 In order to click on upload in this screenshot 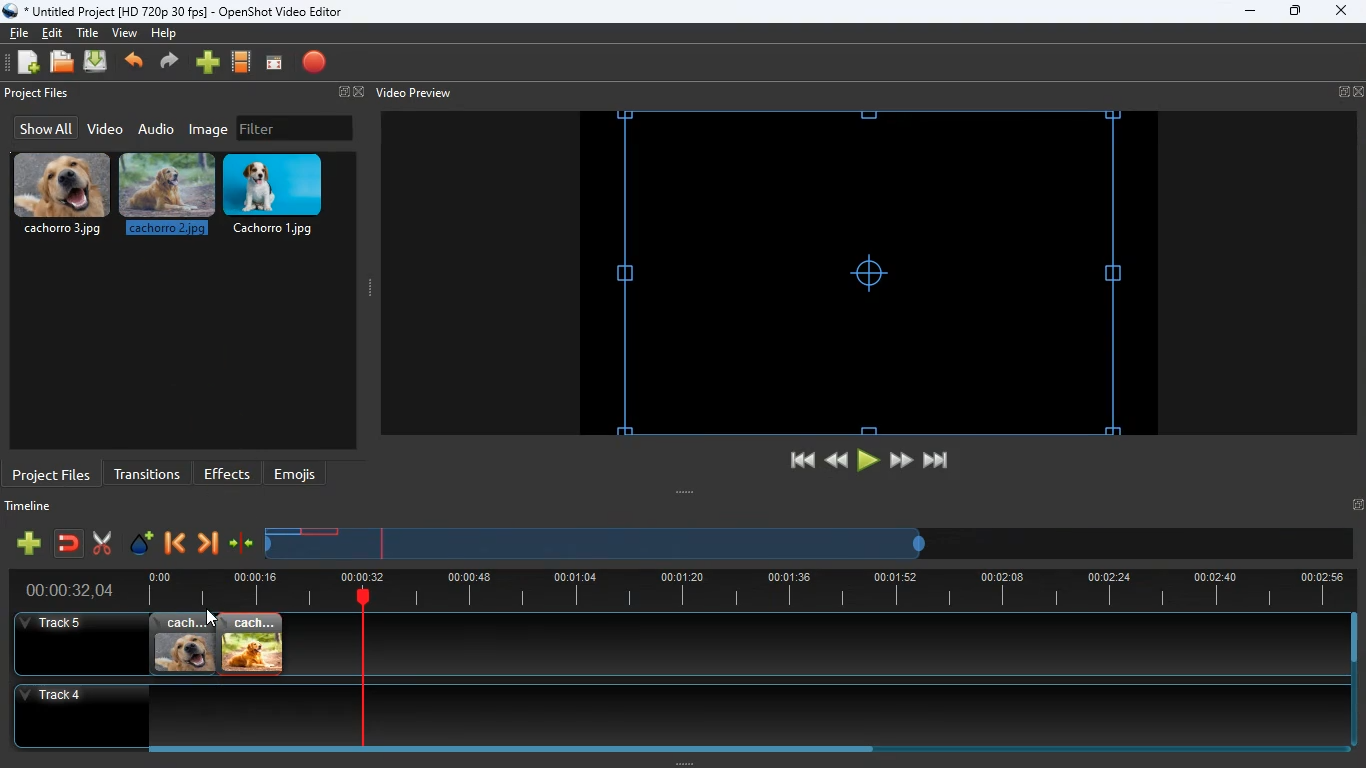, I will do `click(98, 63)`.